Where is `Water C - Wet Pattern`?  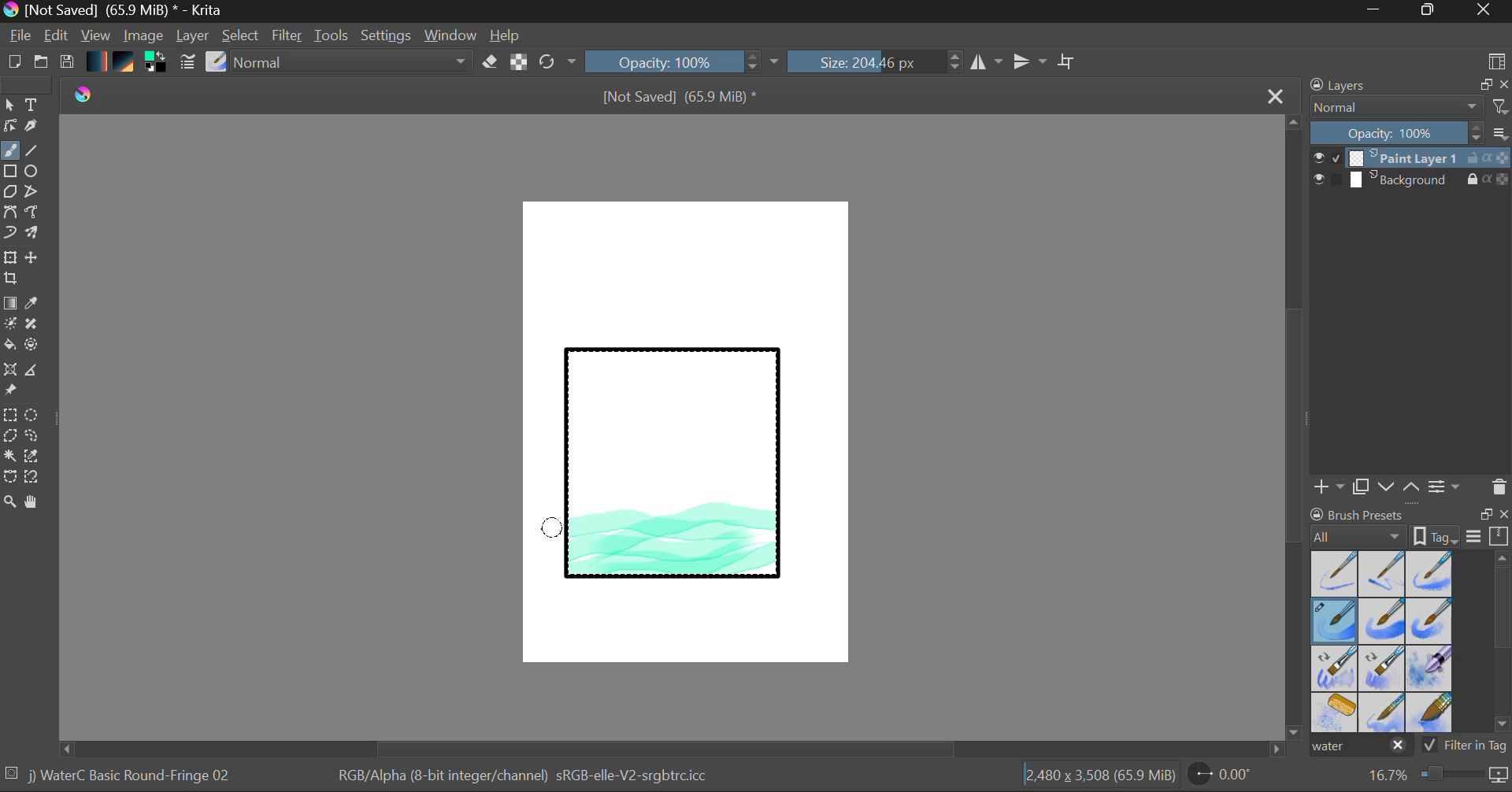
Water C - Wet Pattern is located at coordinates (1429, 574).